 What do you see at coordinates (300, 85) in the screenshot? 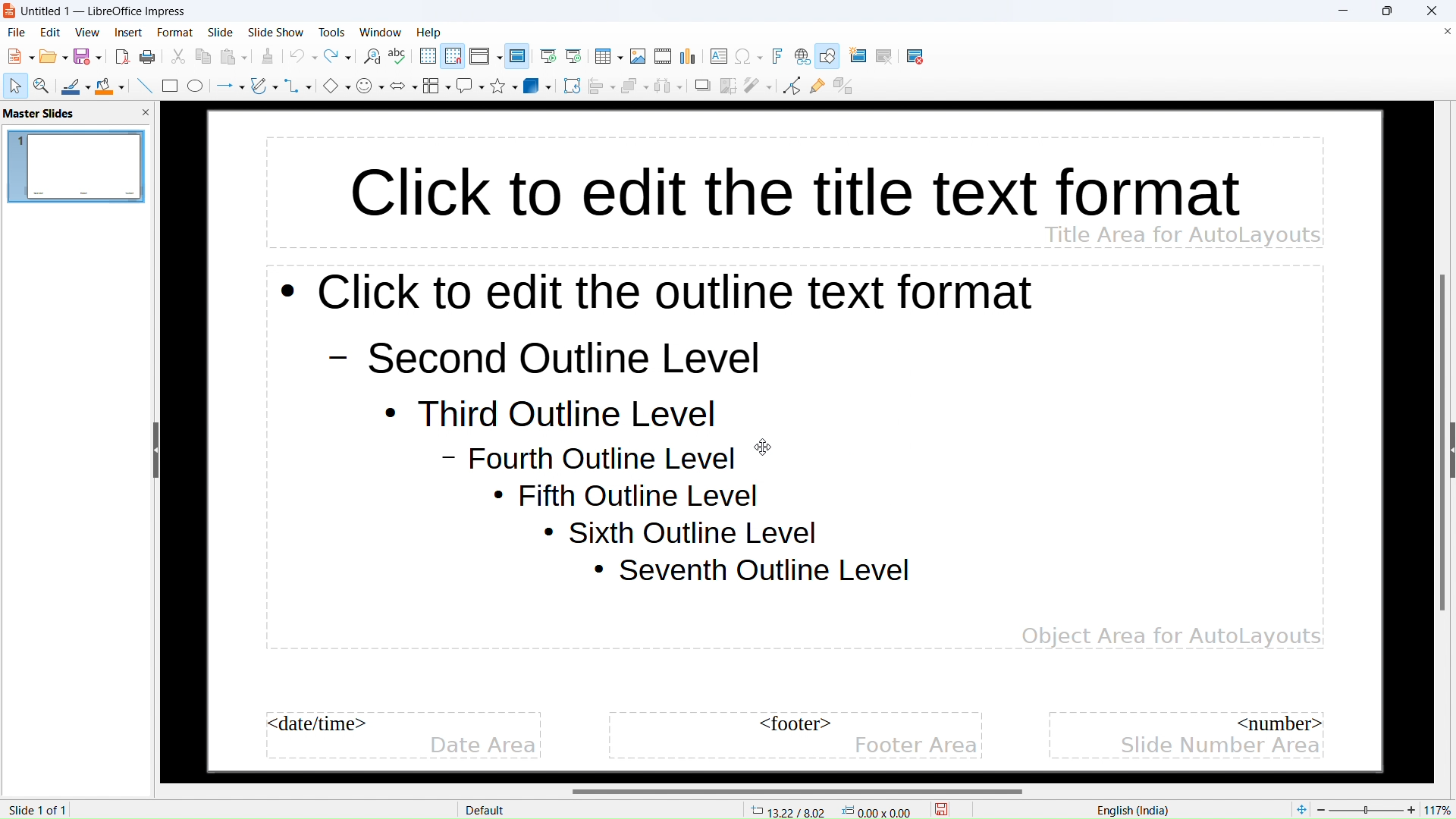
I see `connectors` at bounding box center [300, 85].